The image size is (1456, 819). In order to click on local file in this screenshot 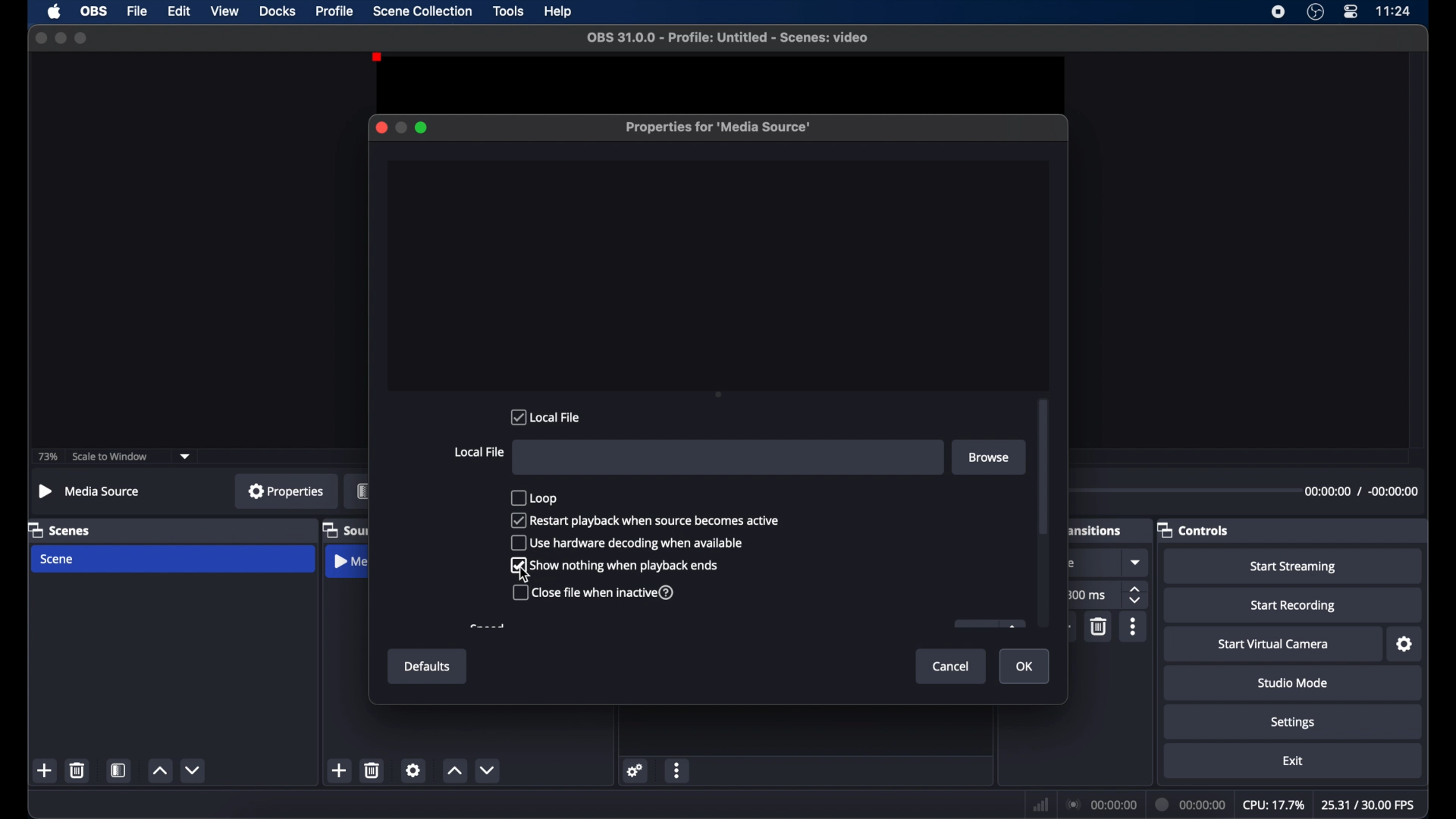, I will do `click(545, 416)`.